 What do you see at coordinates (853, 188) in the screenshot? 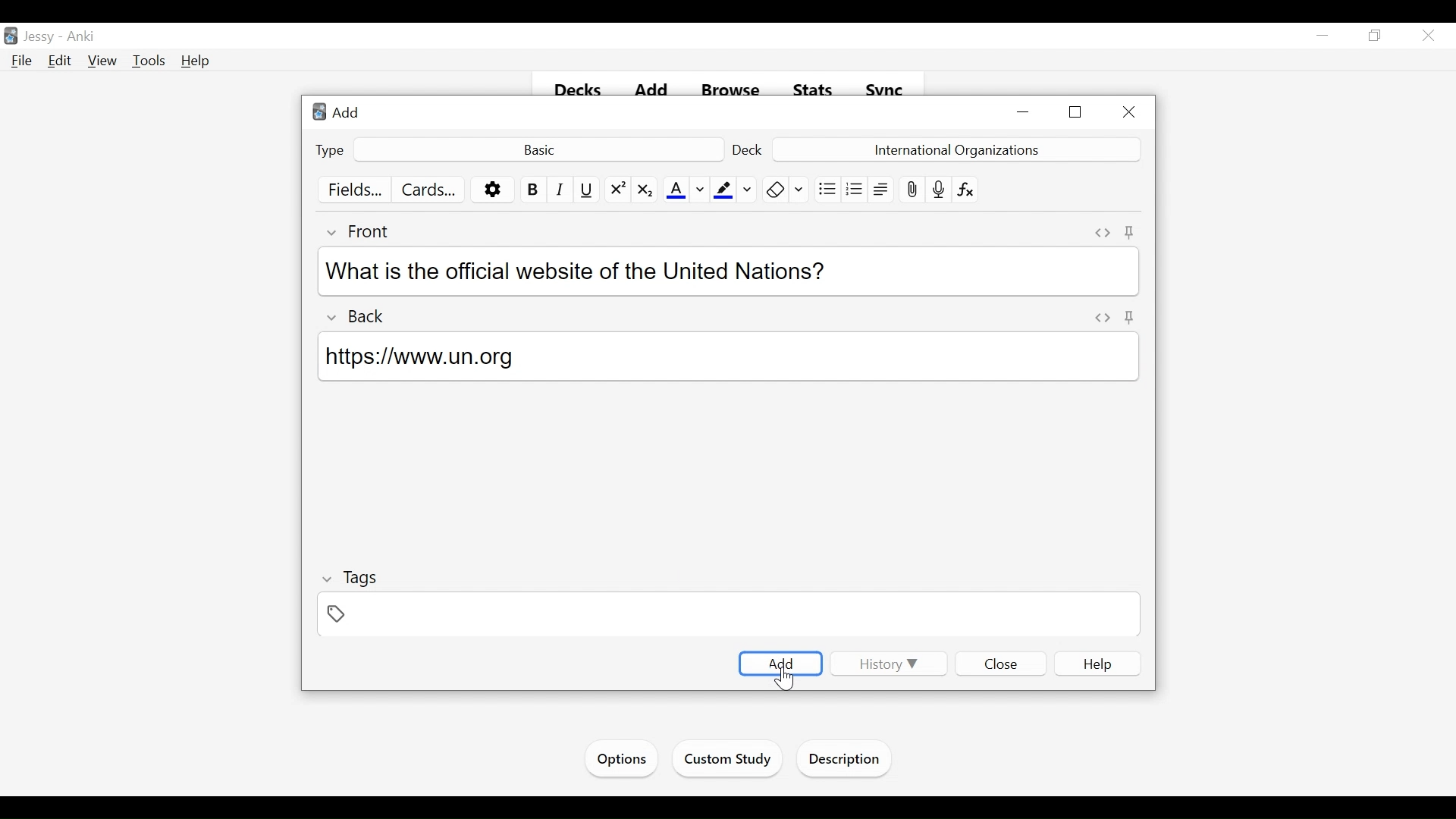
I see `Ordered list` at bounding box center [853, 188].